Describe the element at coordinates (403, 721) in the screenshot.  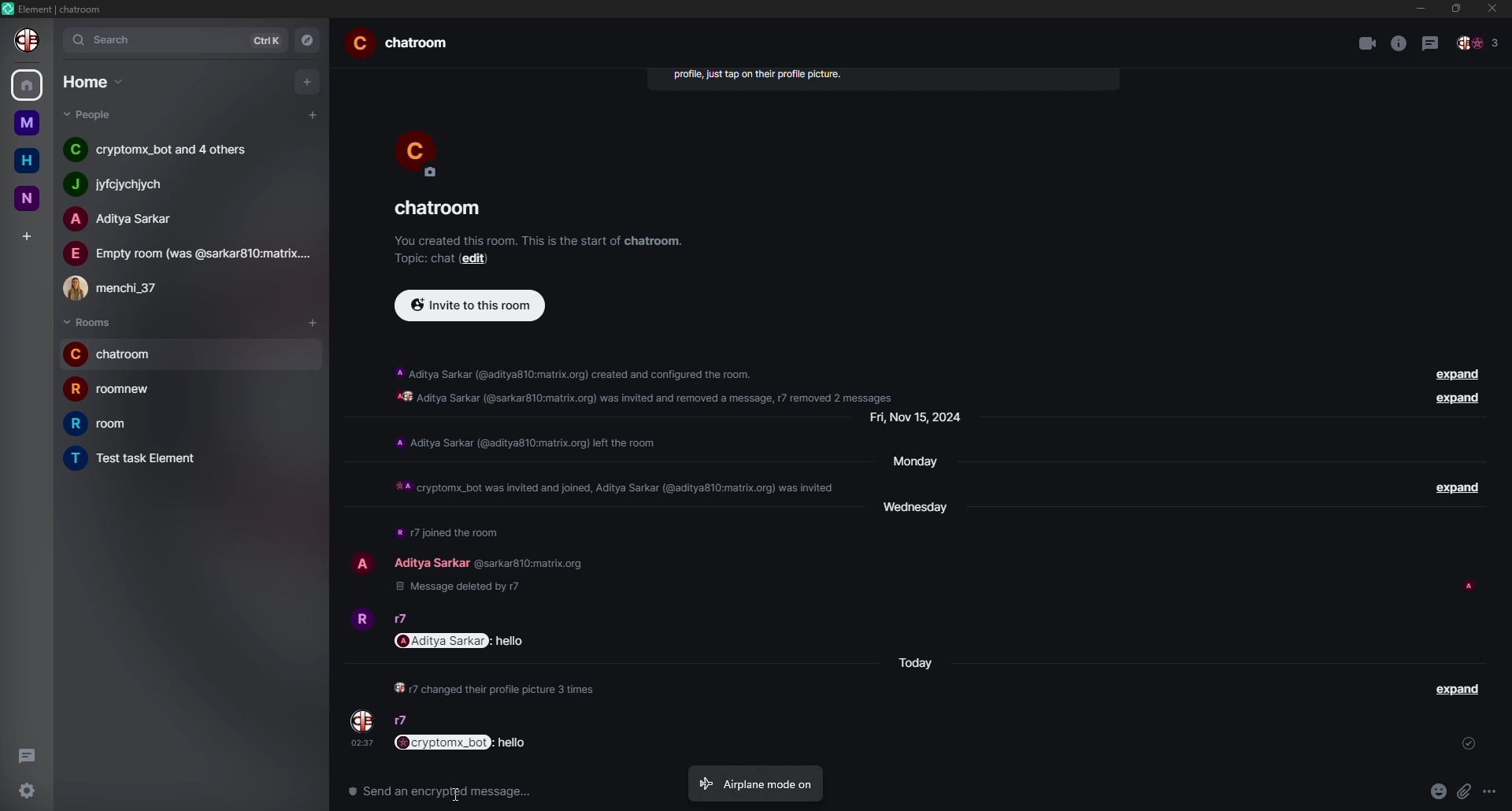
I see `people` at that location.